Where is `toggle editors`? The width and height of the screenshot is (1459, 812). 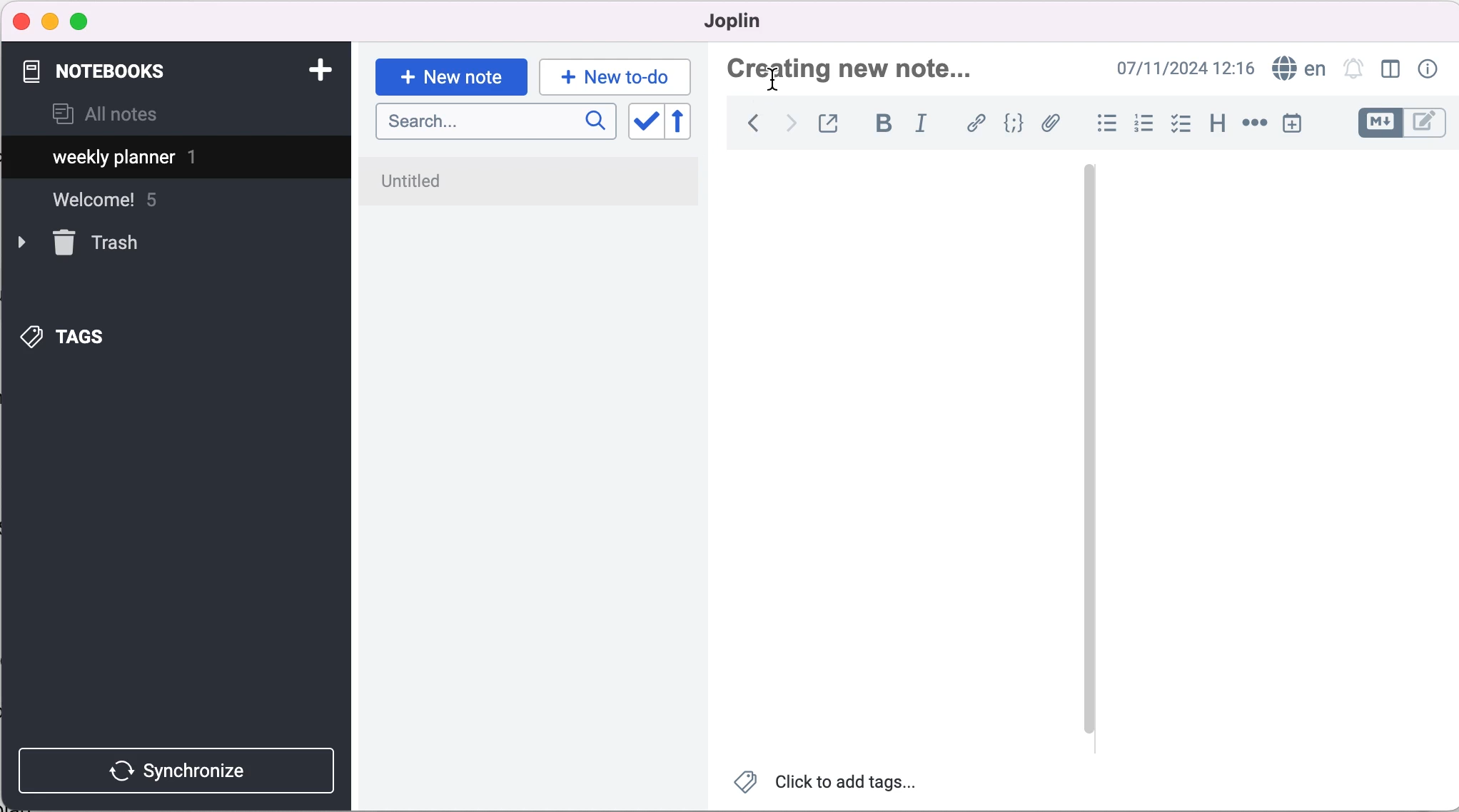 toggle editors is located at coordinates (1402, 125).